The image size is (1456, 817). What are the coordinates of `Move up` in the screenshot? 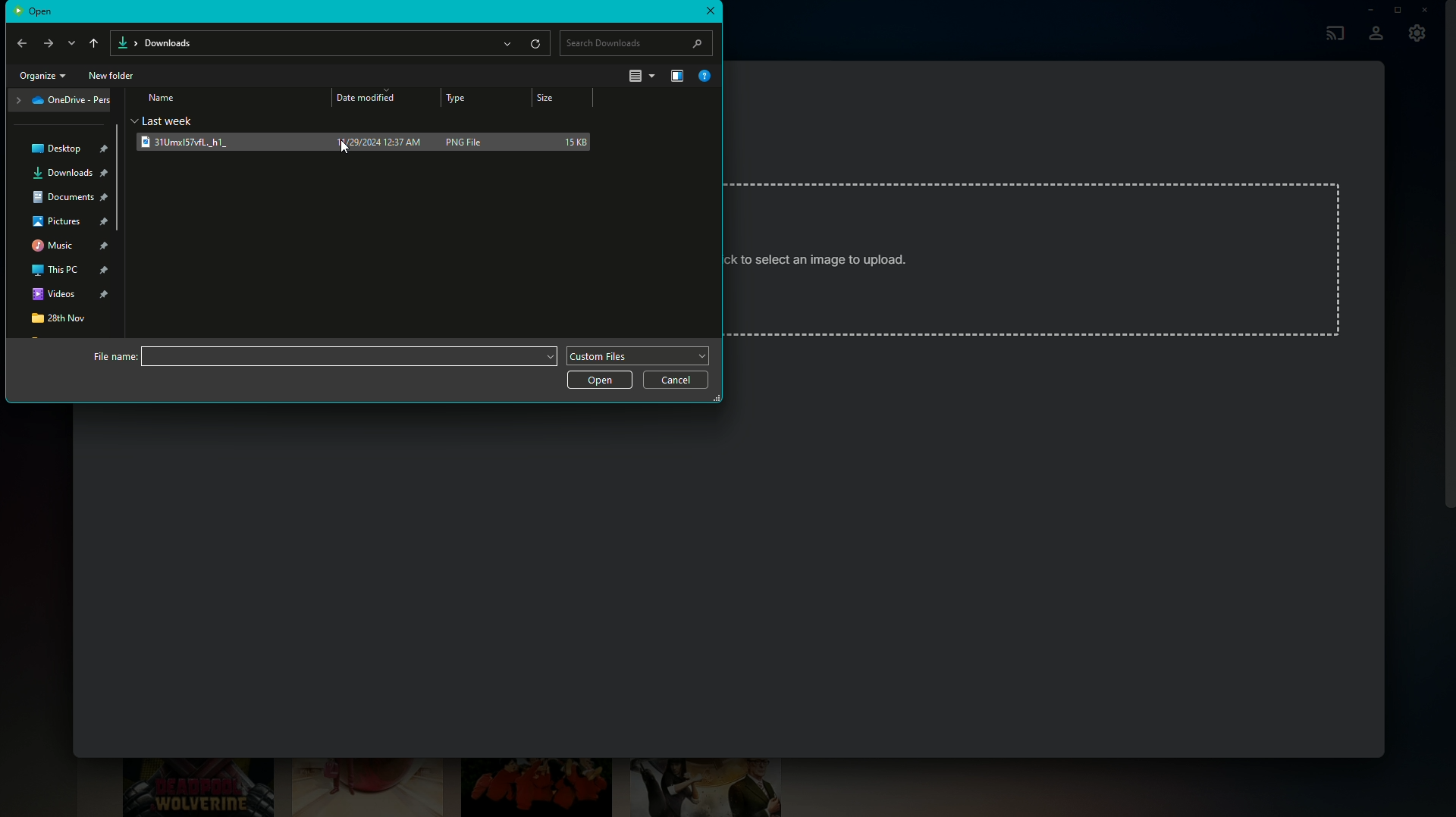 It's located at (91, 40).